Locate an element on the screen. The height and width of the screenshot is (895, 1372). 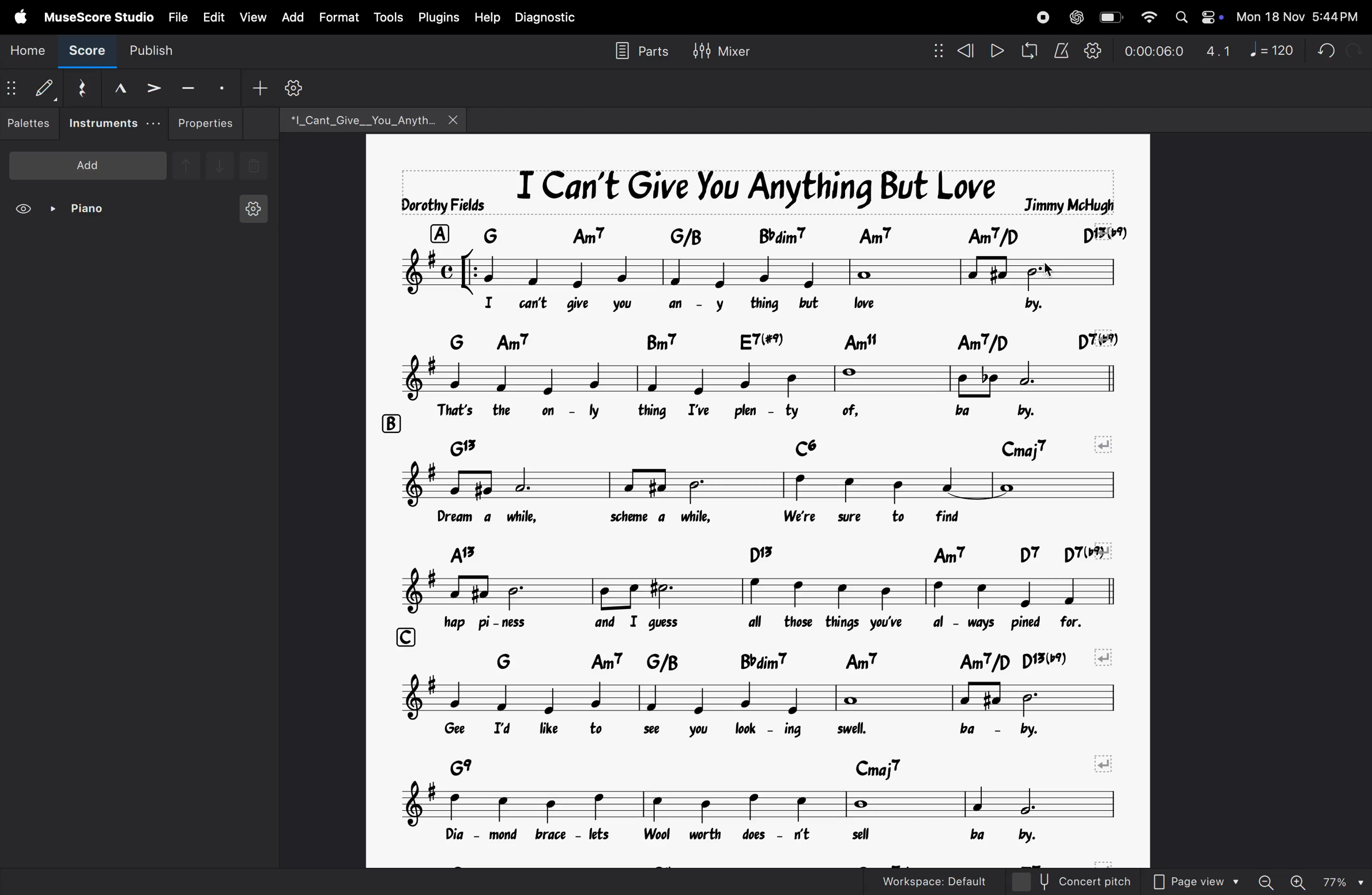
chord symbols is located at coordinates (794, 661).